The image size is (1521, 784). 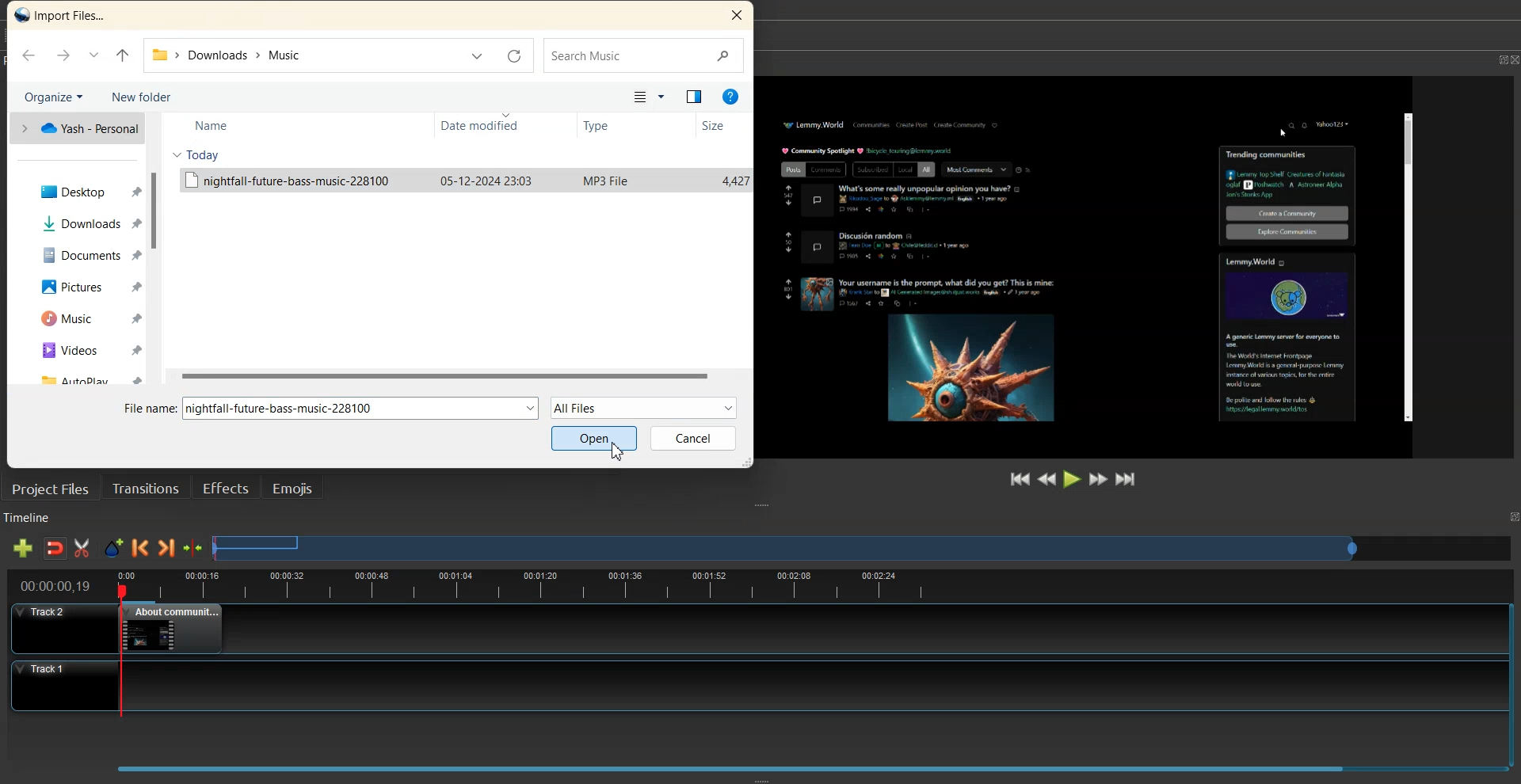 What do you see at coordinates (1073, 478) in the screenshot?
I see `Play` at bounding box center [1073, 478].